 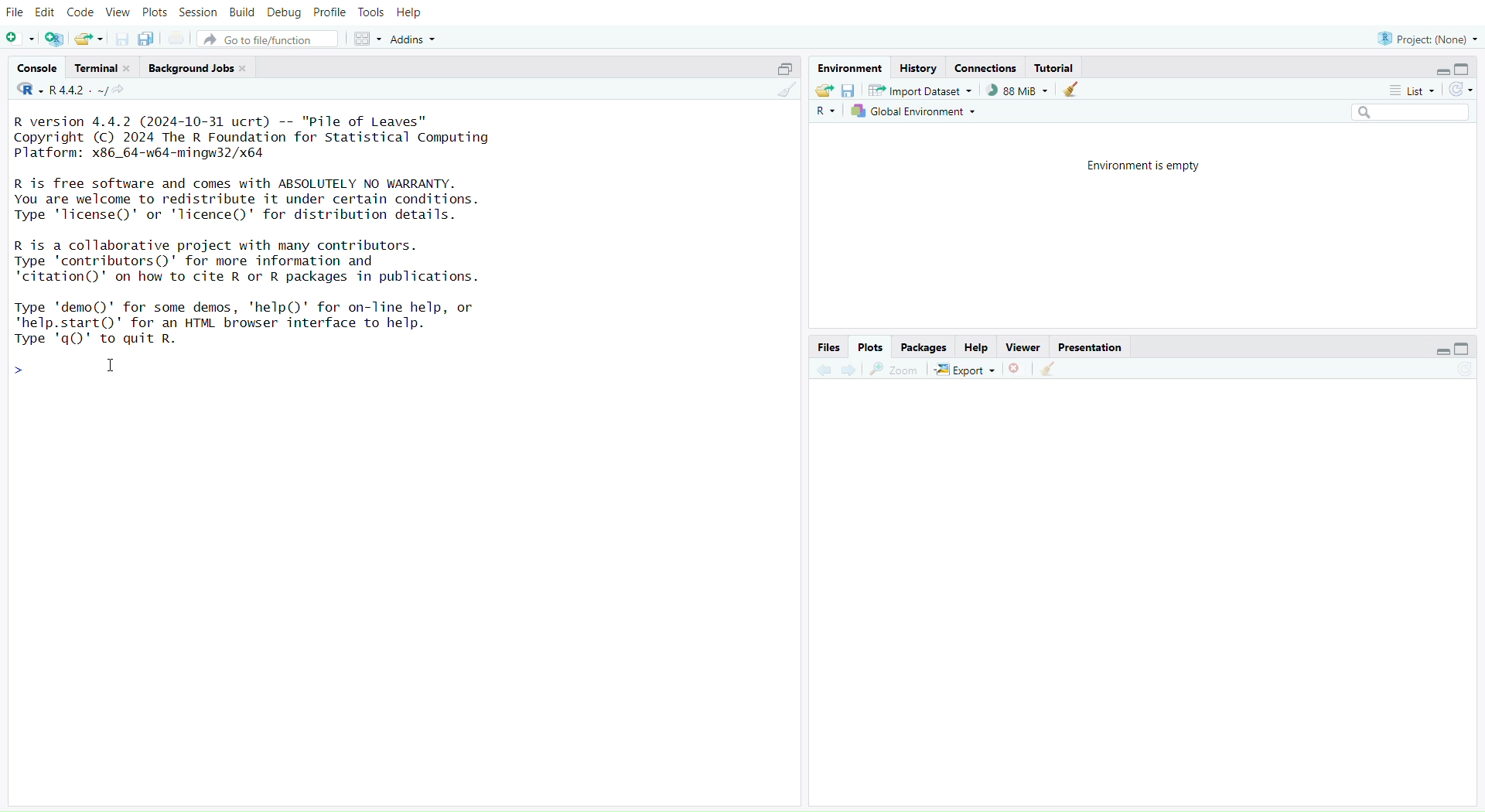 I want to click on console, so click(x=36, y=67).